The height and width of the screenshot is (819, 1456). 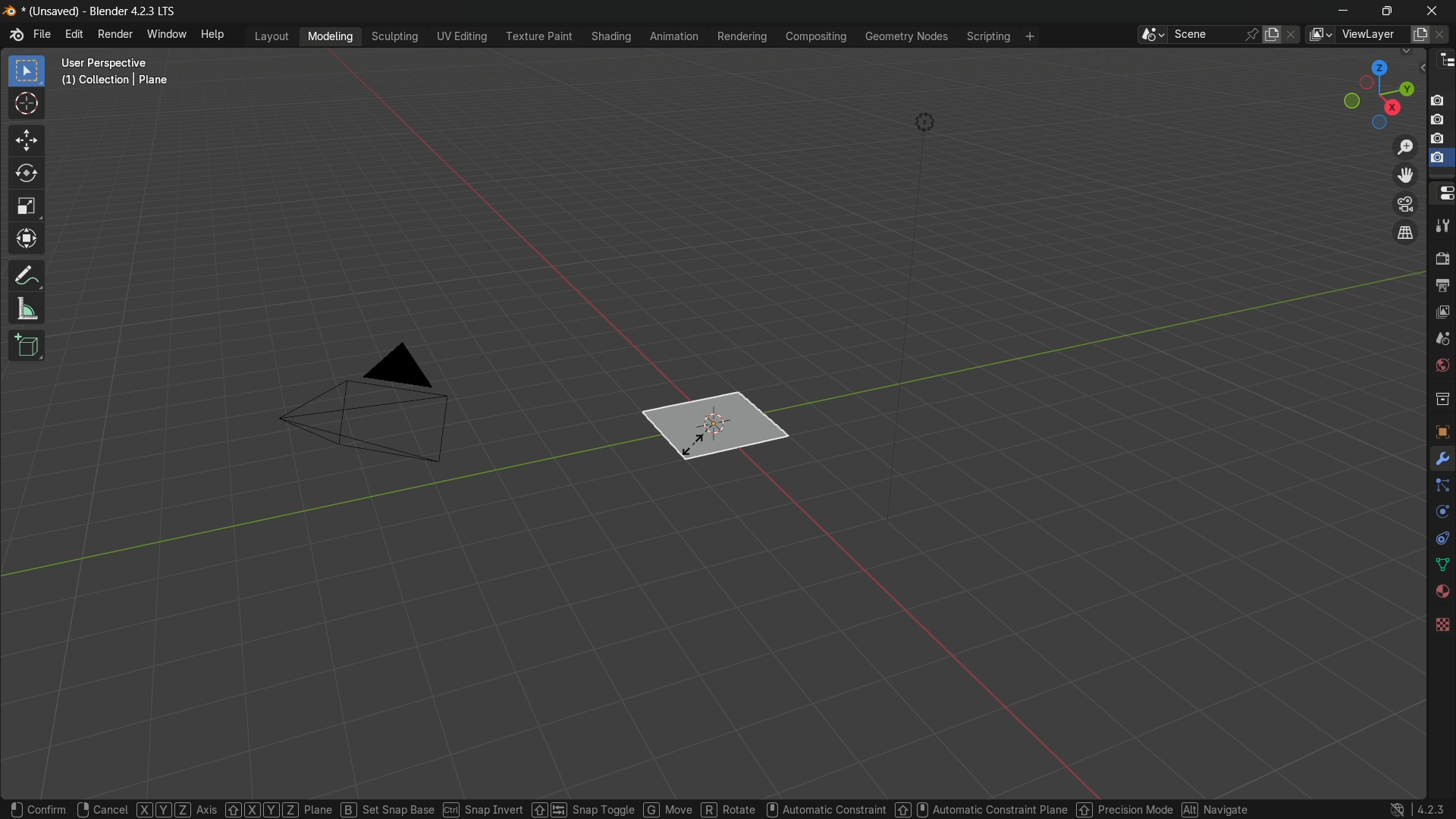 I want to click on automatic constraint, so click(x=824, y=805).